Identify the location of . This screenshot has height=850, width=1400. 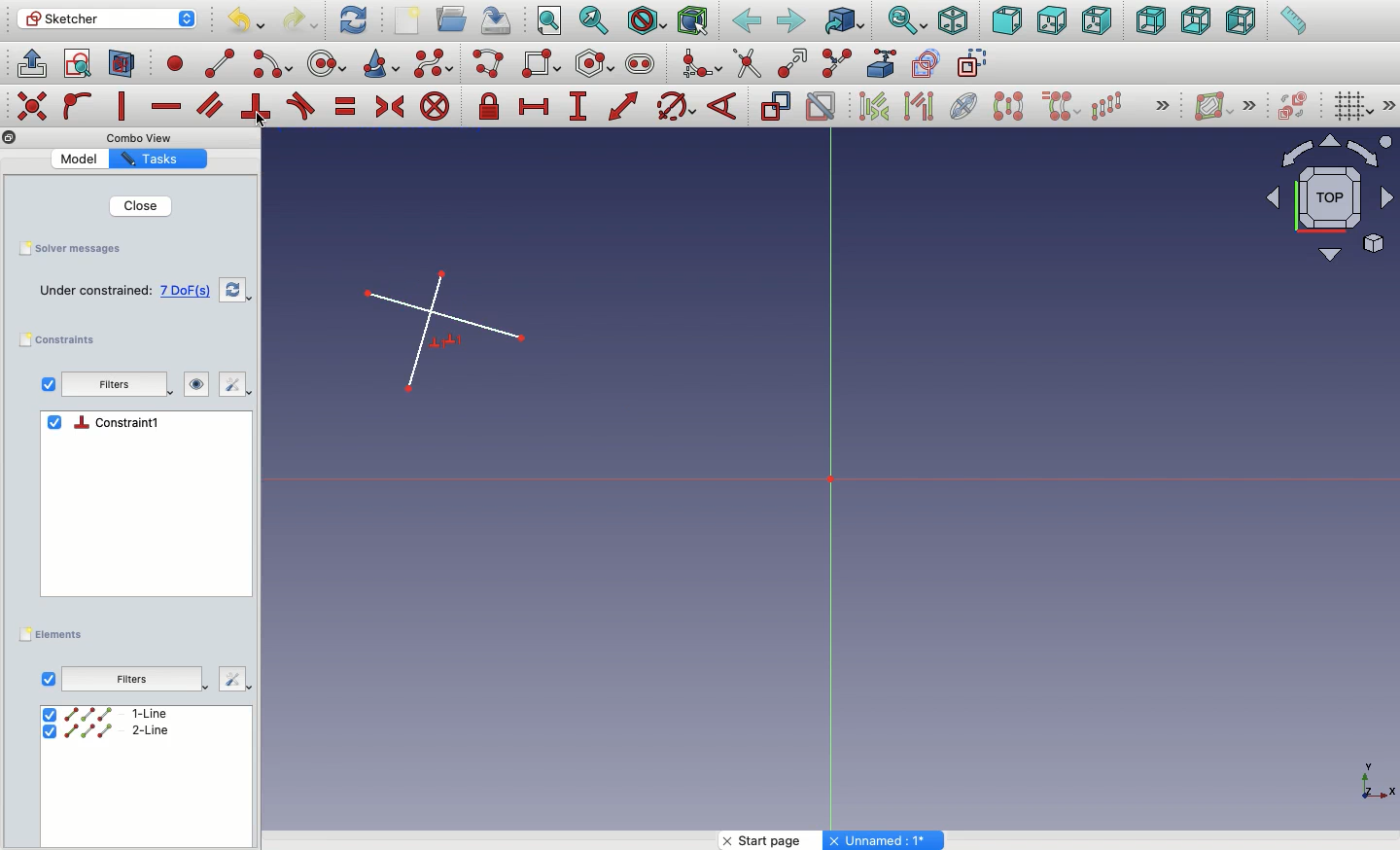
(137, 680).